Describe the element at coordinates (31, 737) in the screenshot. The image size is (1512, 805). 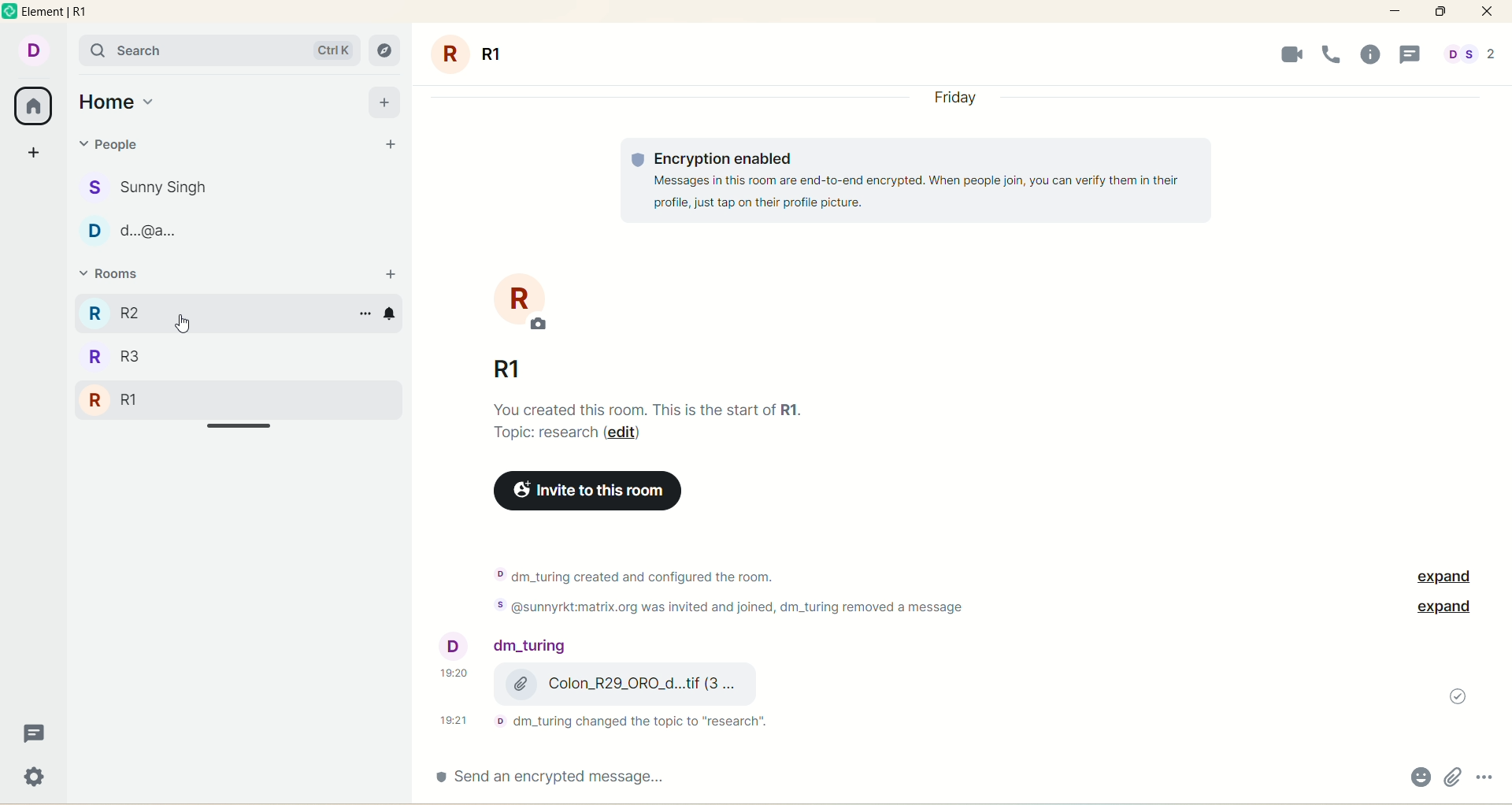
I see `threads` at that location.